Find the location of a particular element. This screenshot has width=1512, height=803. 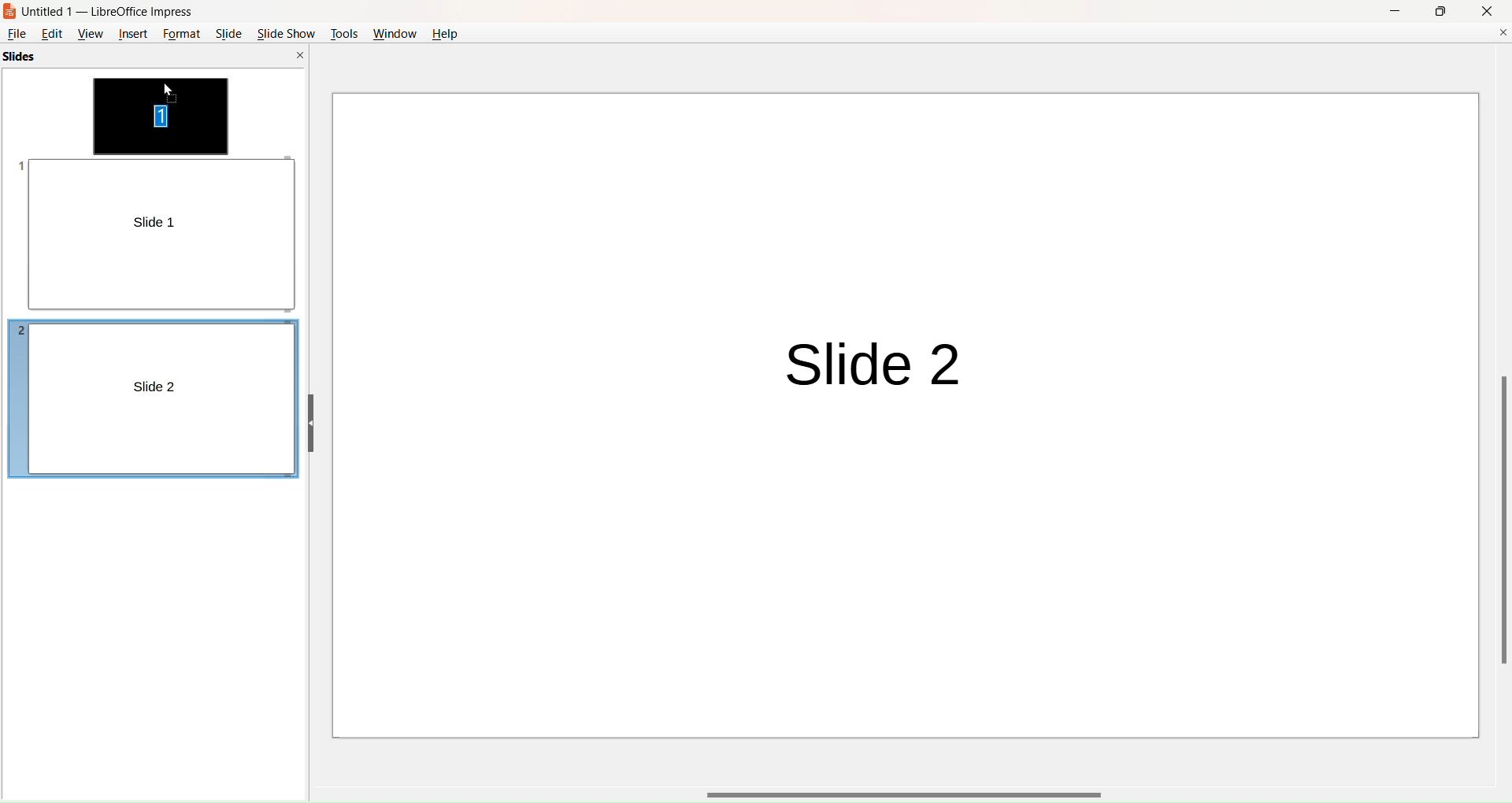

slides is located at coordinates (19, 58).